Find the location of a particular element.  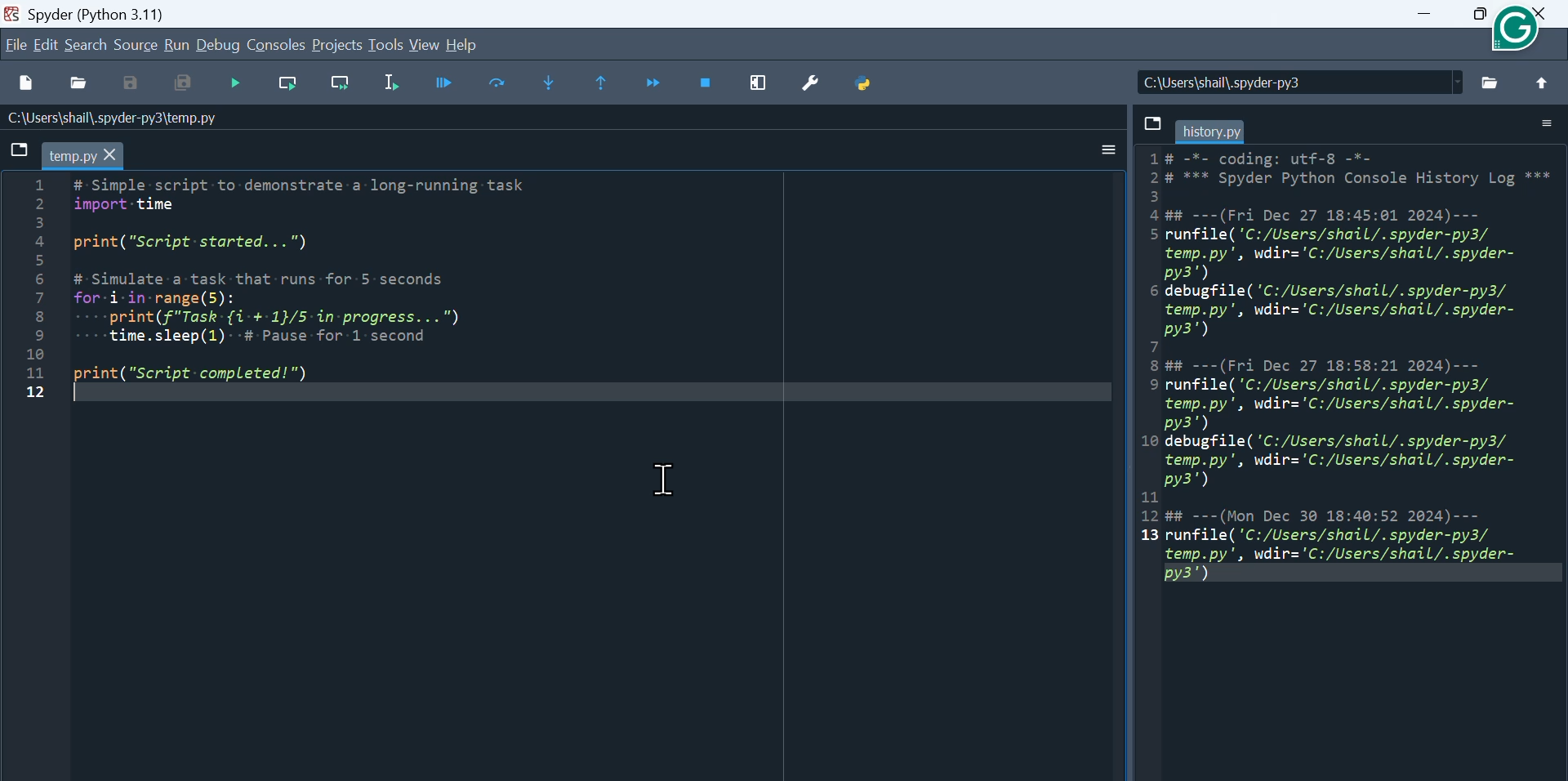

folder is located at coordinates (1549, 123).